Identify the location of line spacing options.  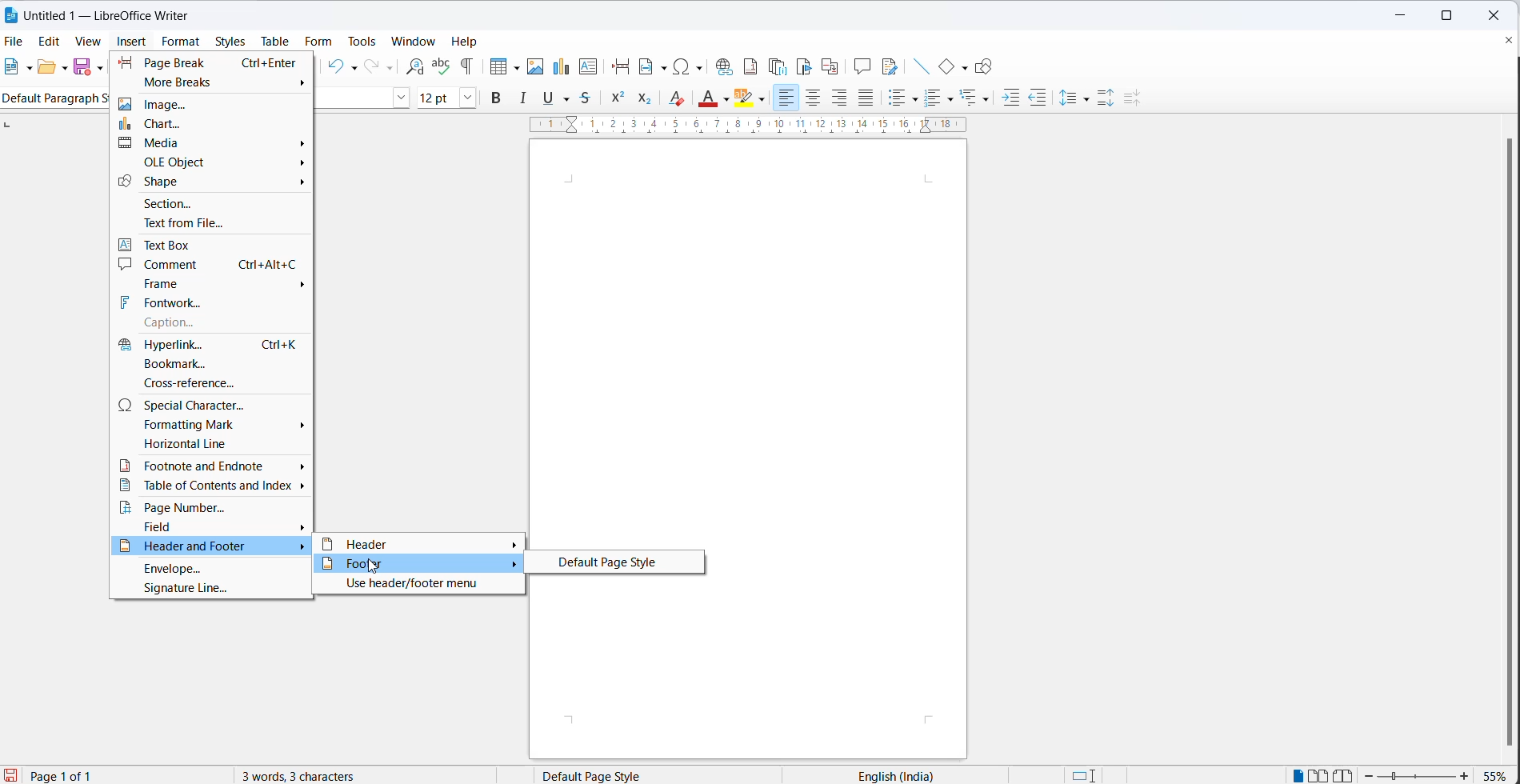
(1083, 100).